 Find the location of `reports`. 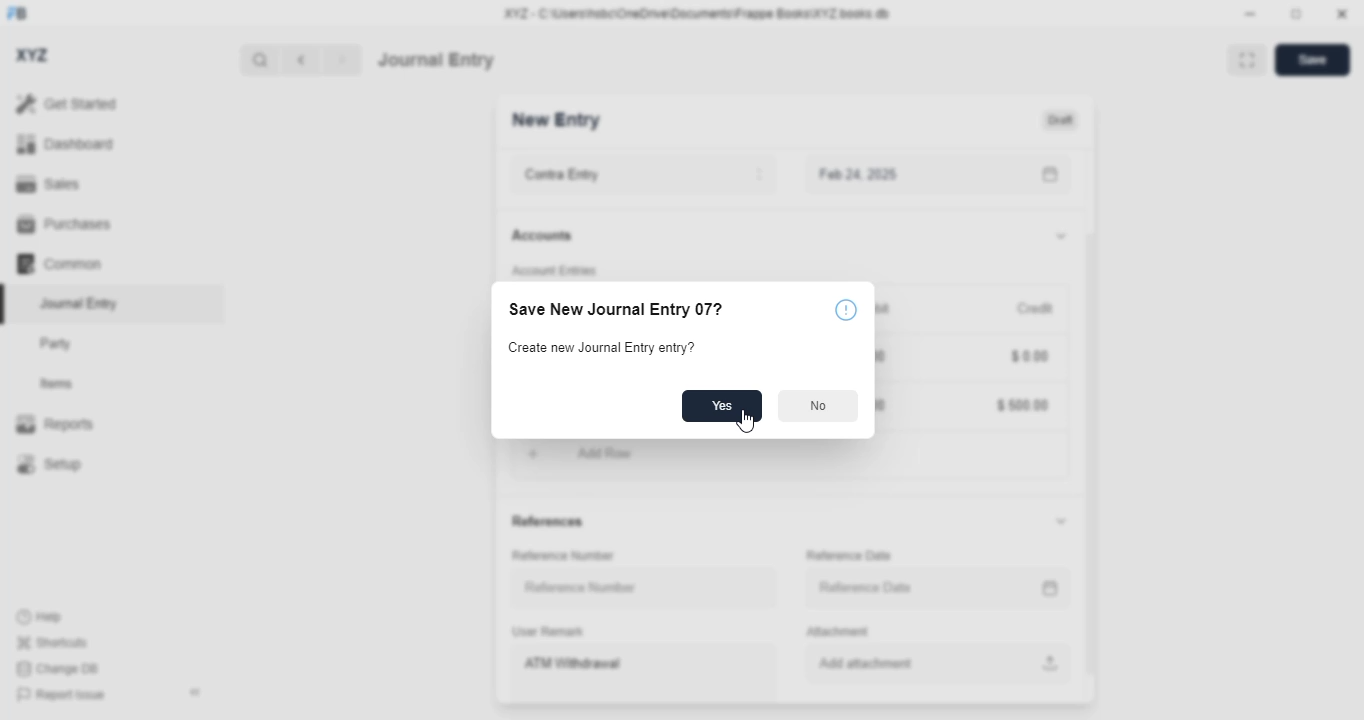

reports is located at coordinates (55, 423).